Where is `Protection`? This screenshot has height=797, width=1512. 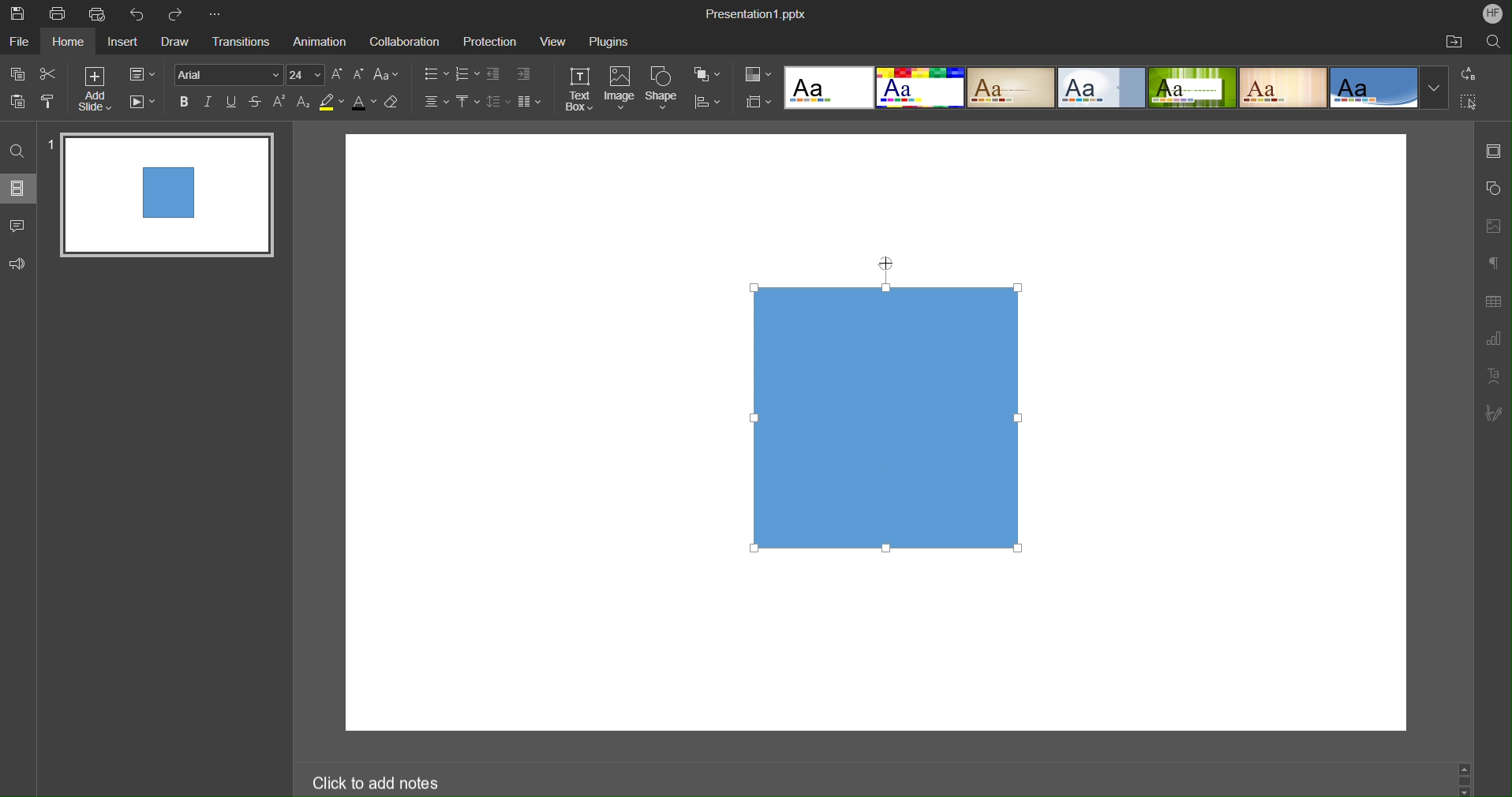 Protection is located at coordinates (492, 39).